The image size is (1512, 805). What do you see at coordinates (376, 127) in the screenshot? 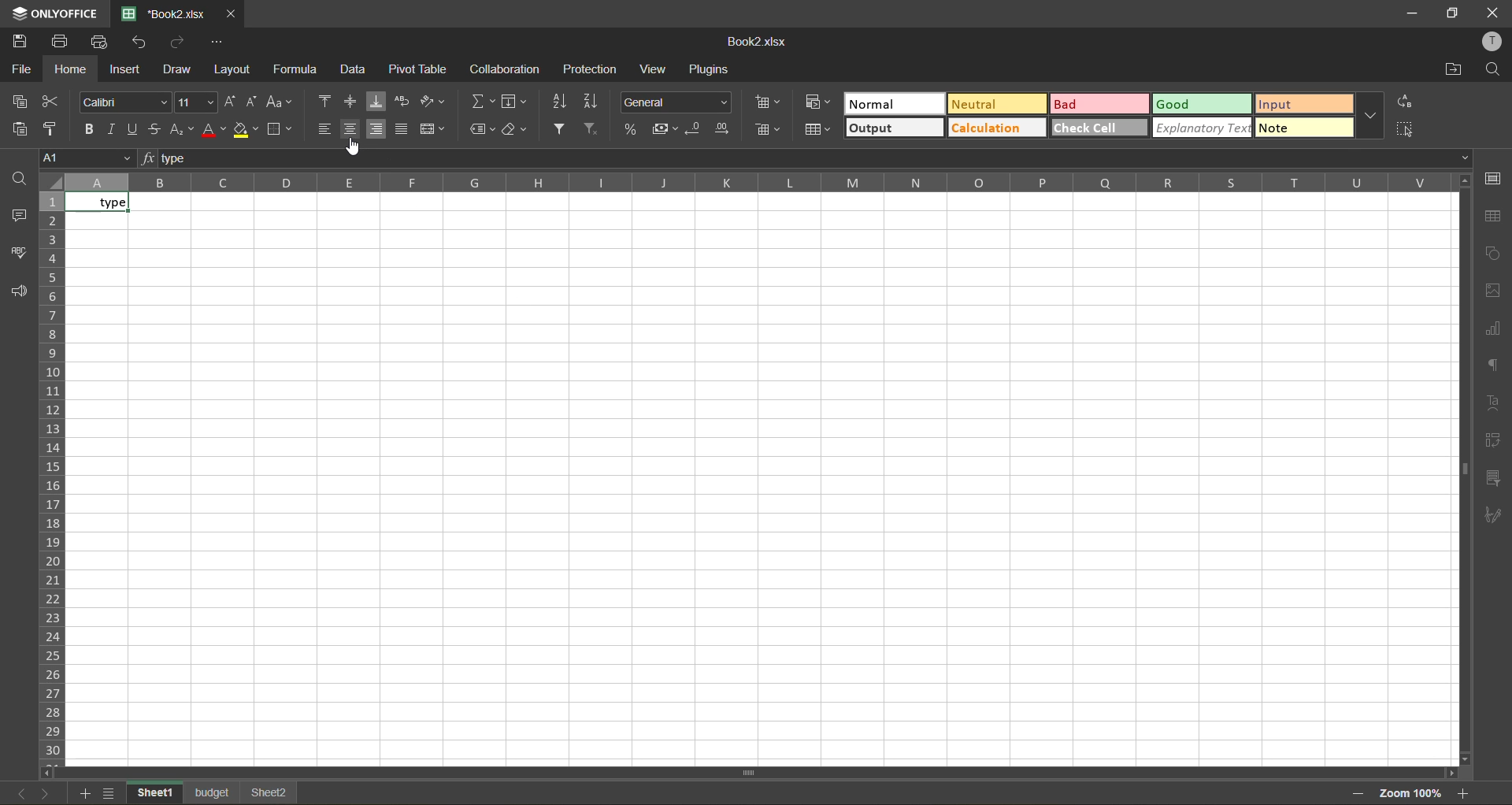
I see `align right` at bounding box center [376, 127].